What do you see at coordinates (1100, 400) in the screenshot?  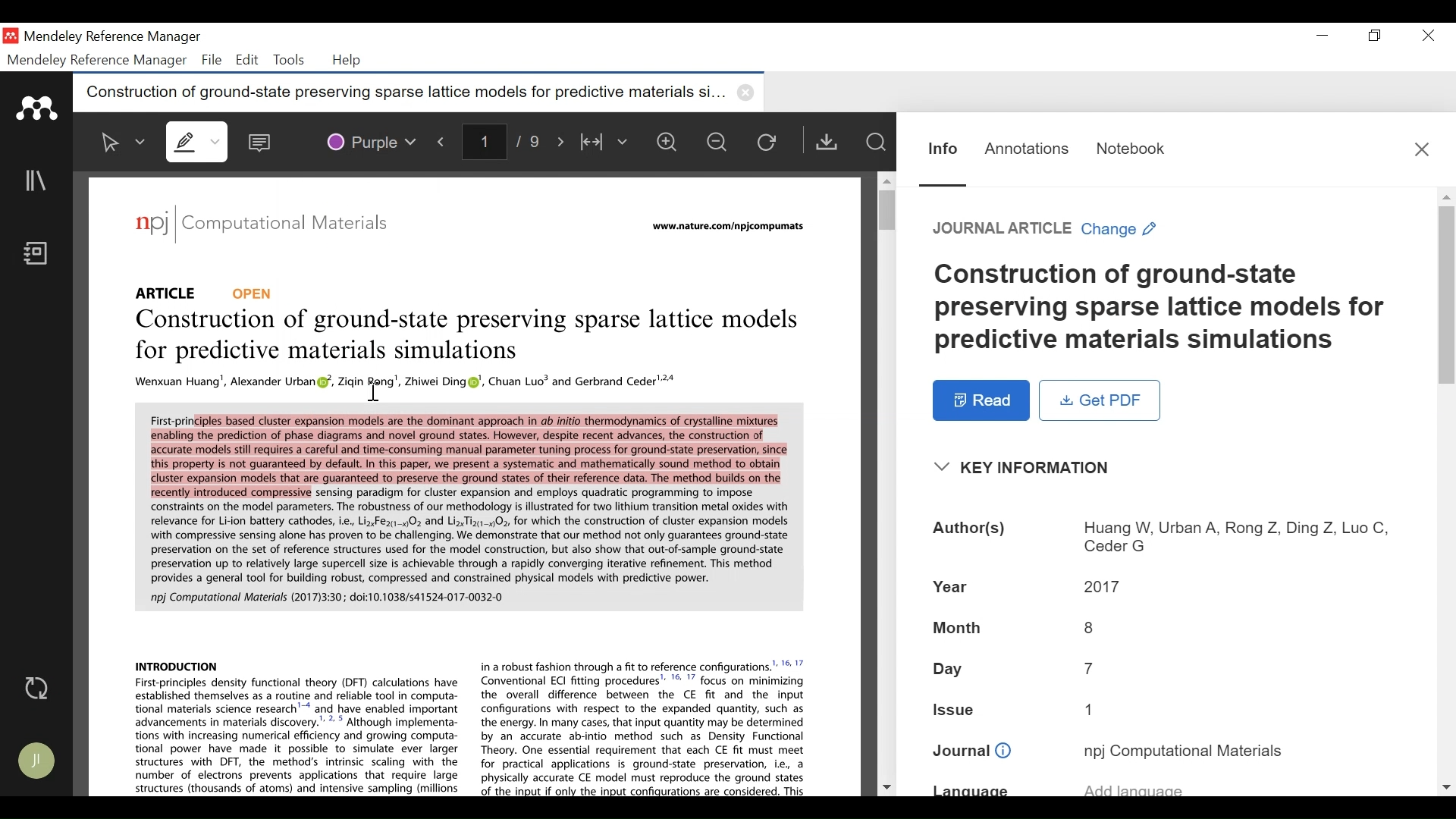 I see `Get PDF` at bounding box center [1100, 400].